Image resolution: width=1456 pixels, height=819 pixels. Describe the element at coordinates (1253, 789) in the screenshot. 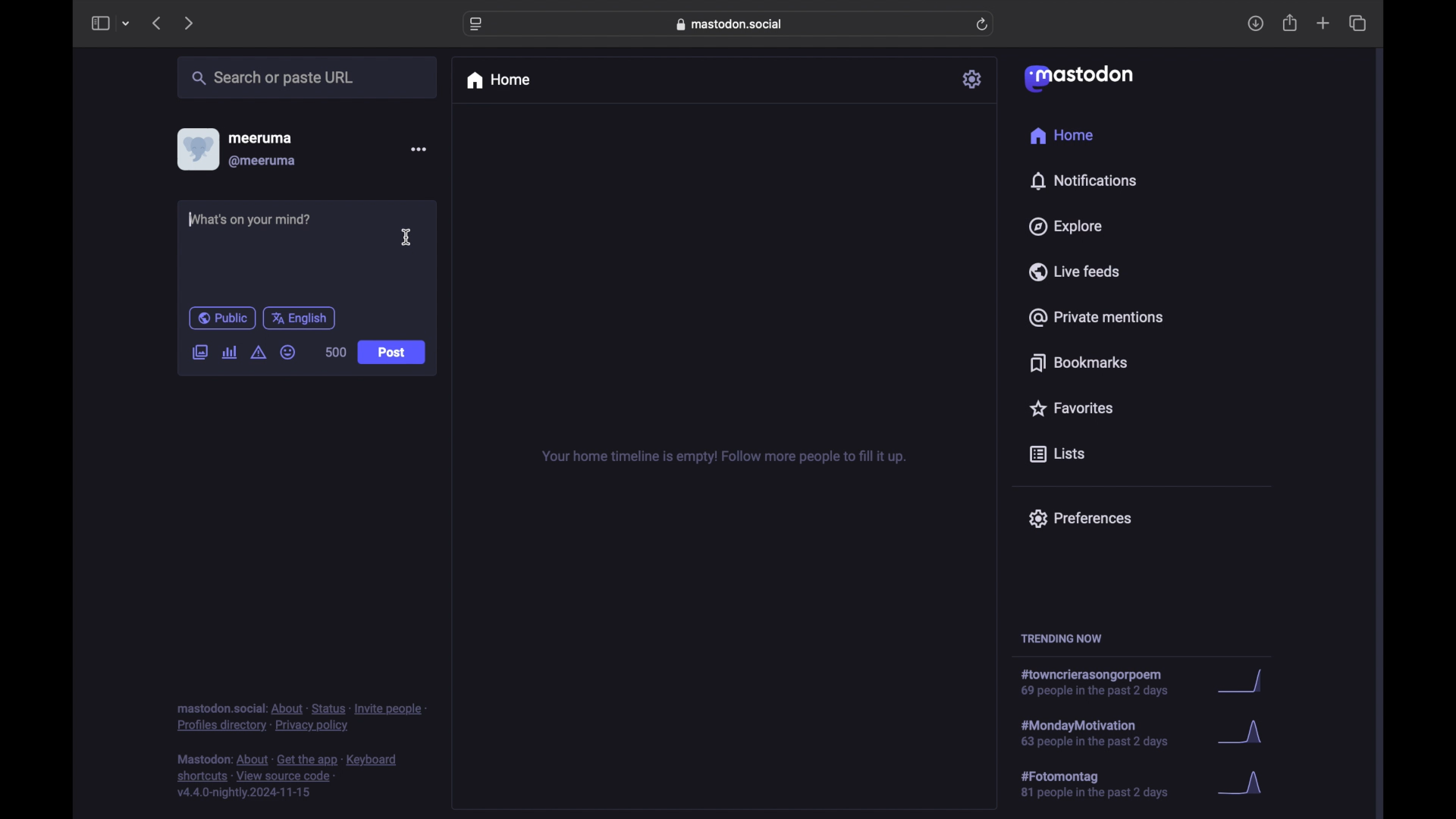

I see `graph` at that location.